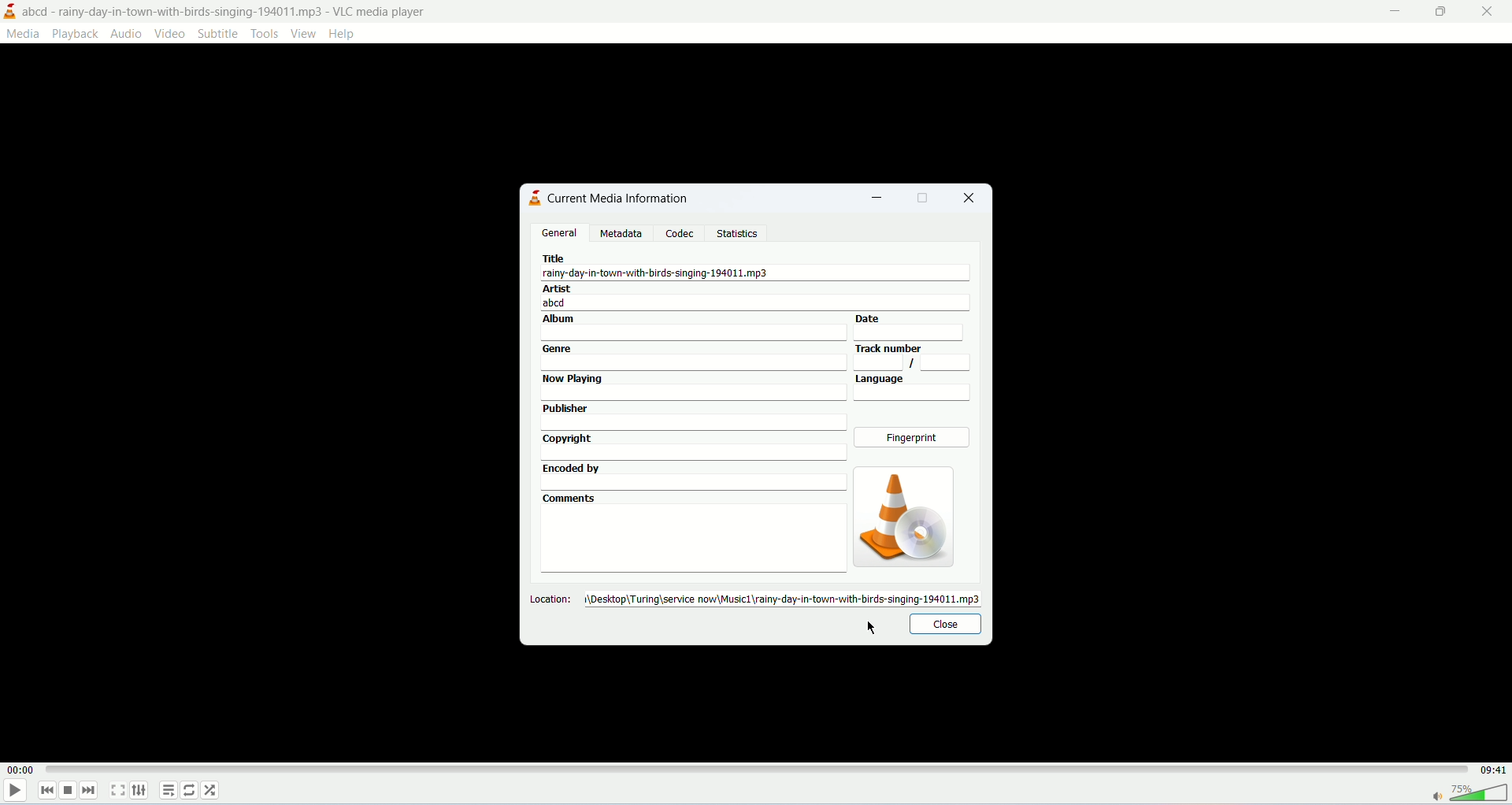  Describe the element at coordinates (345, 35) in the screenshot. I see `help` at that location.